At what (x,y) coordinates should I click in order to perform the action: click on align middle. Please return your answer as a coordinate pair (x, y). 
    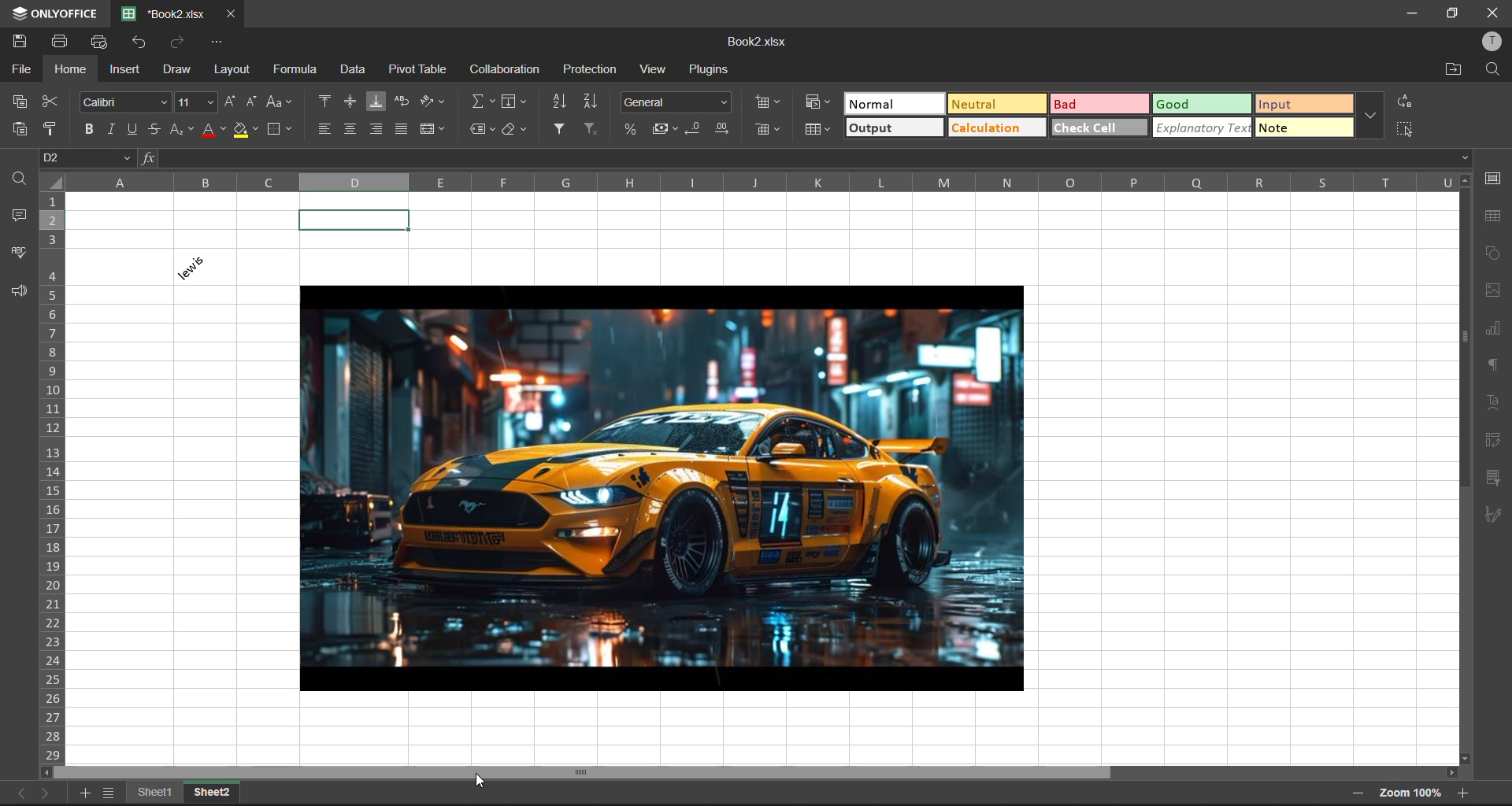
    Looking at the image, I should click on (348, 102).